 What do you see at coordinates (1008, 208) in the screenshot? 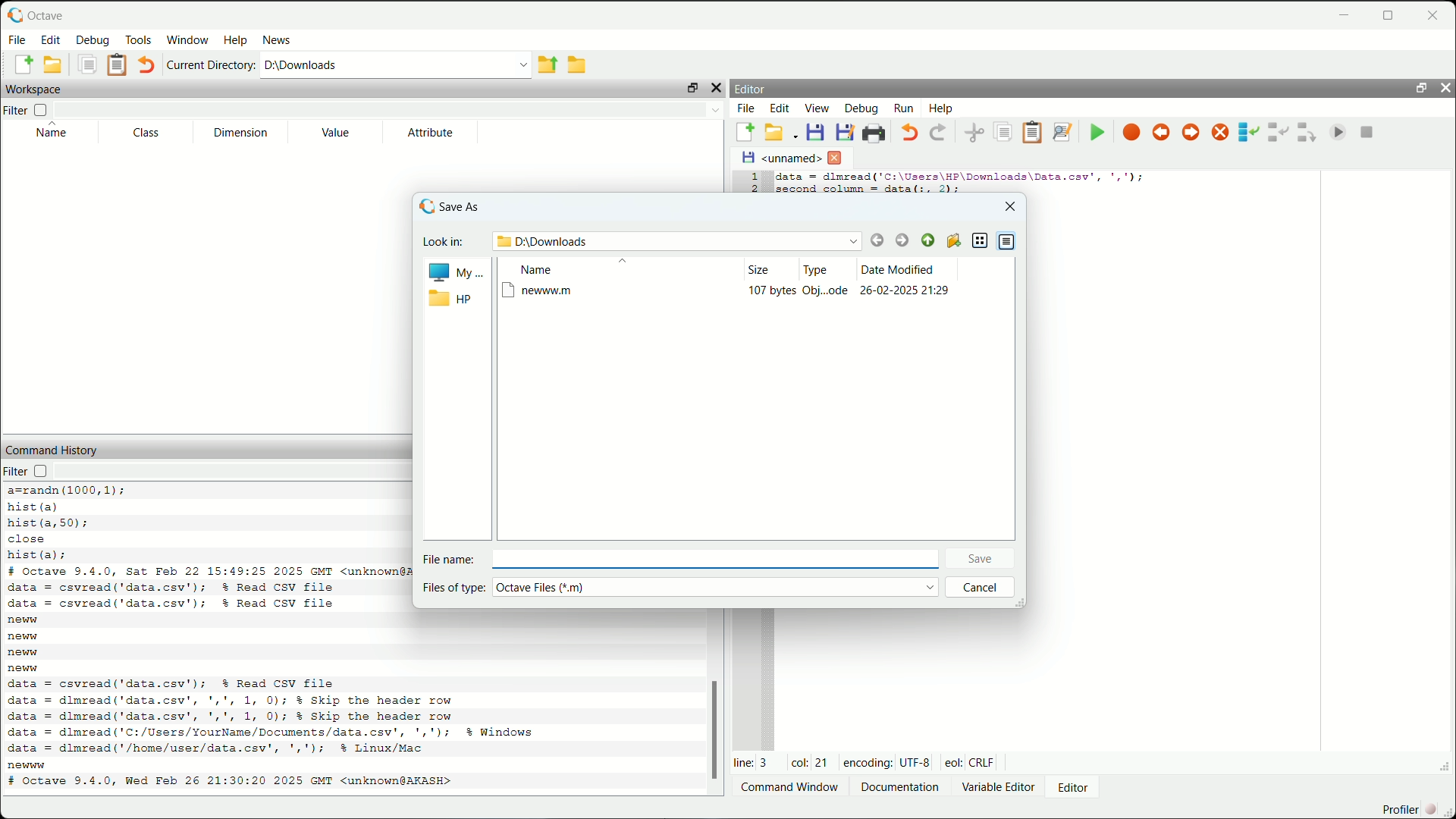
I see `close` at bounding box center [1008, 208].